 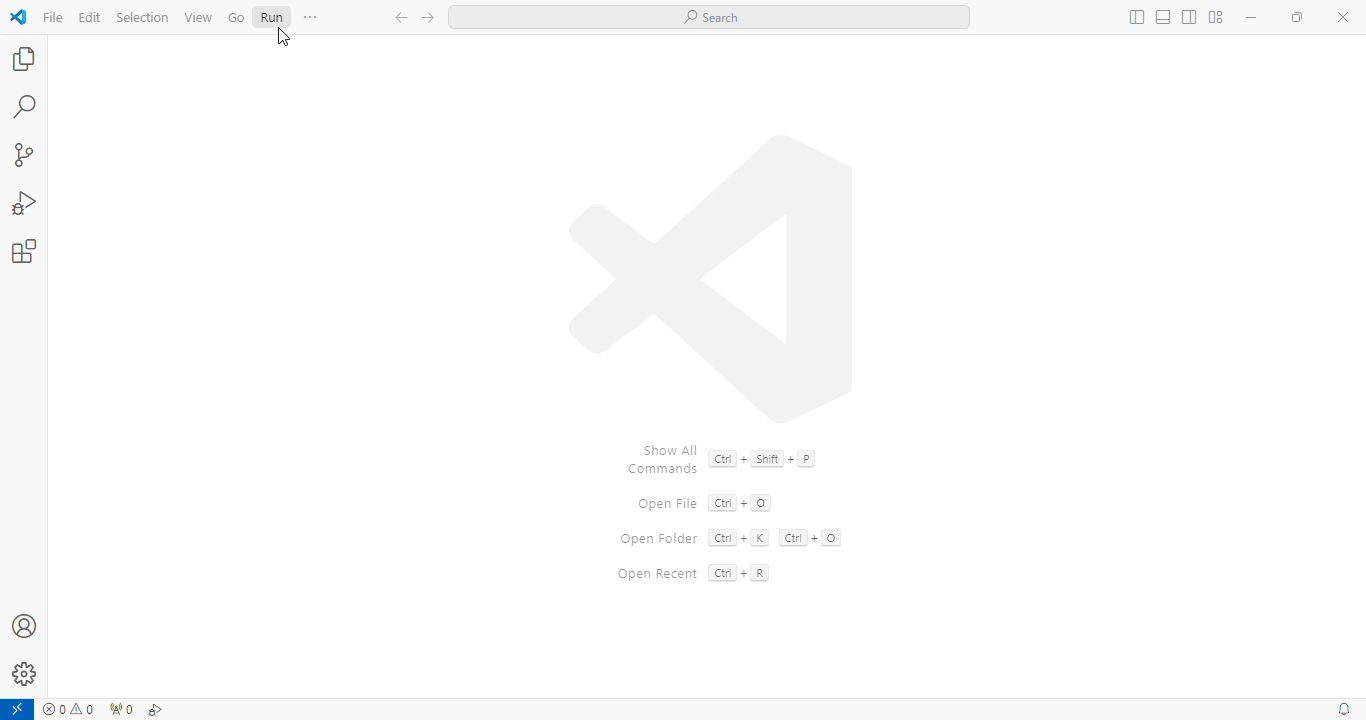 I want to click on source control, so click(x=24, y=156).